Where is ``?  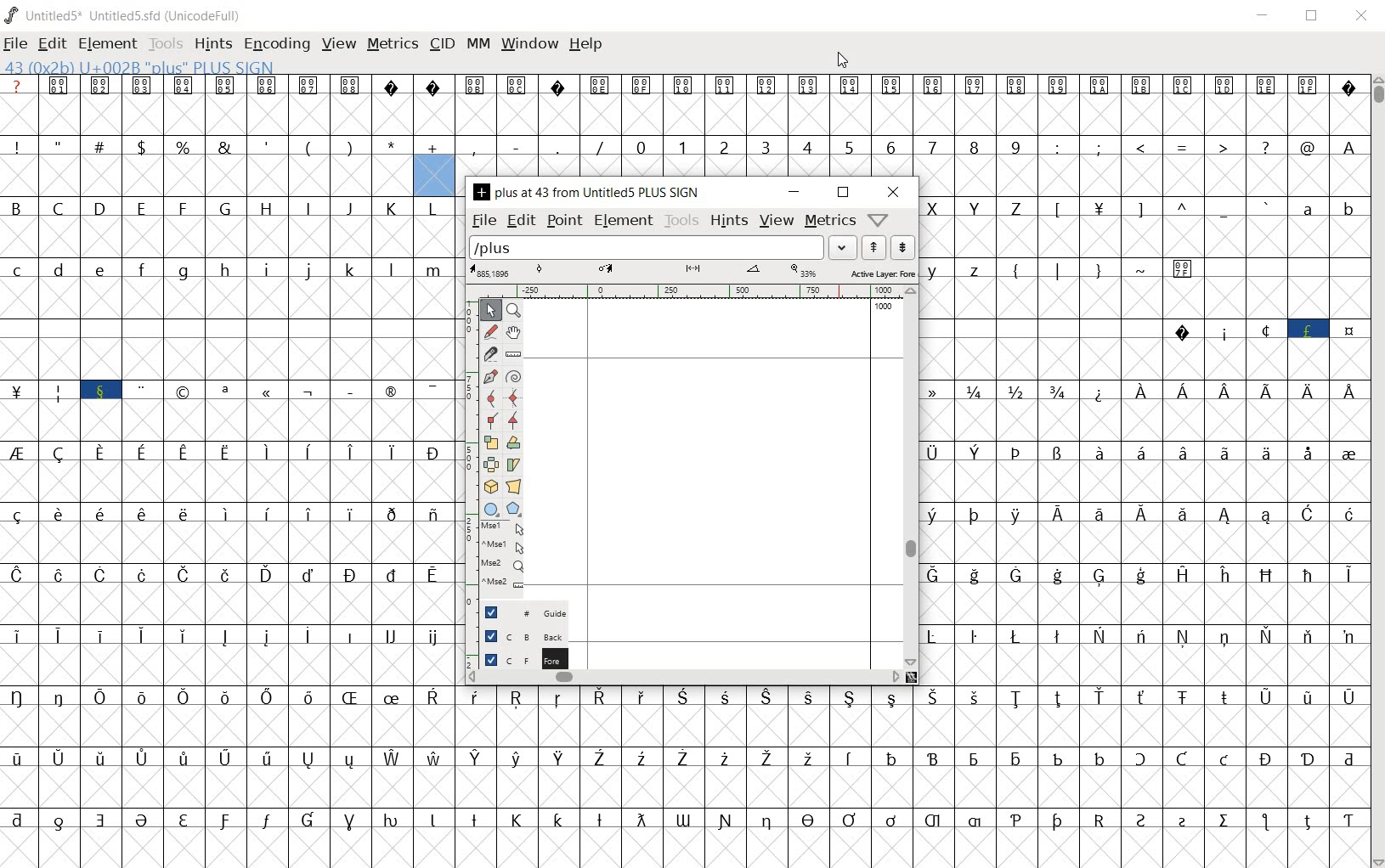
 is located at coordinates (997, 533).